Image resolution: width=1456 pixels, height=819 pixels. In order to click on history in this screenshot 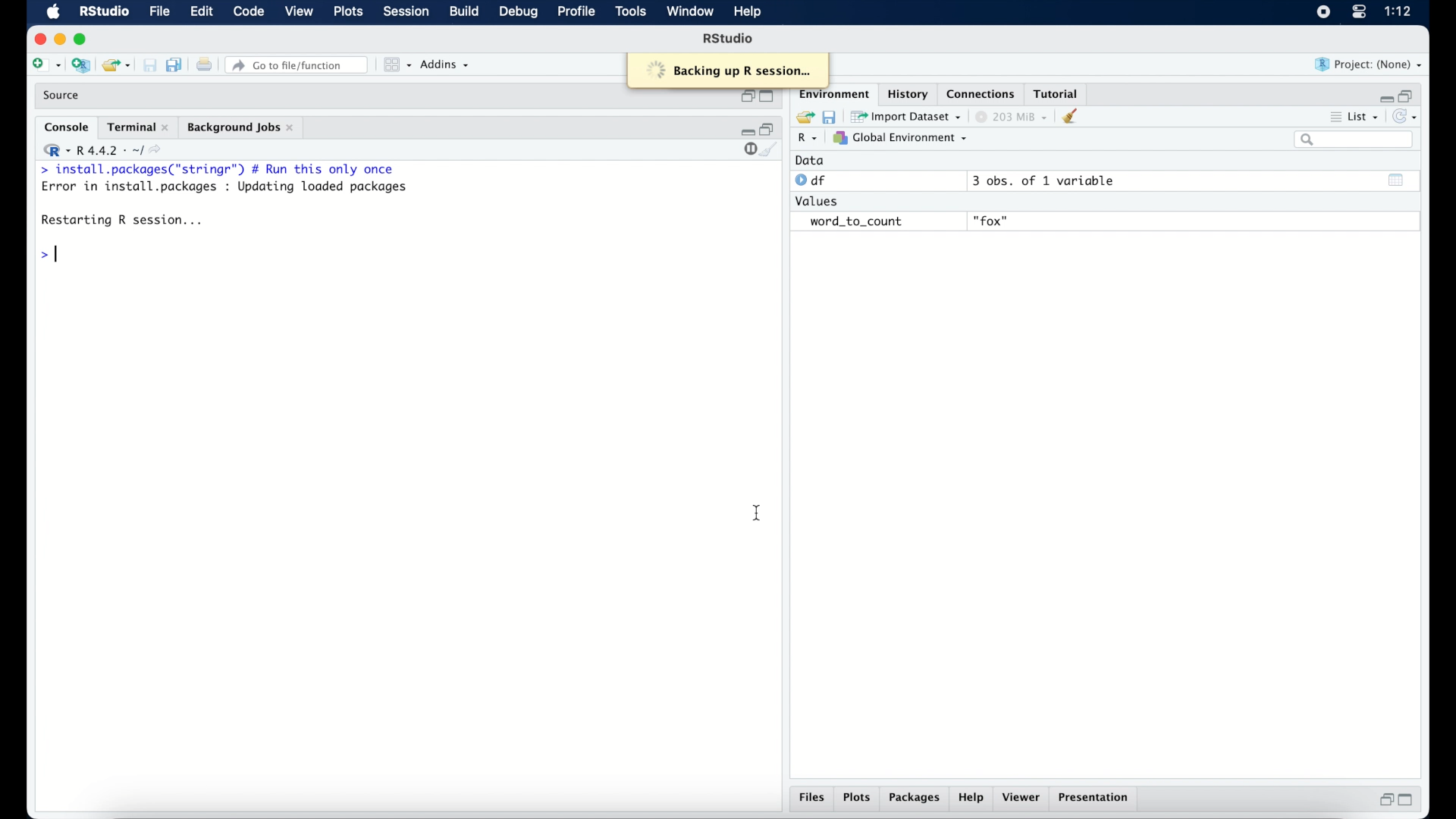, I will do `click(906, 94)`.